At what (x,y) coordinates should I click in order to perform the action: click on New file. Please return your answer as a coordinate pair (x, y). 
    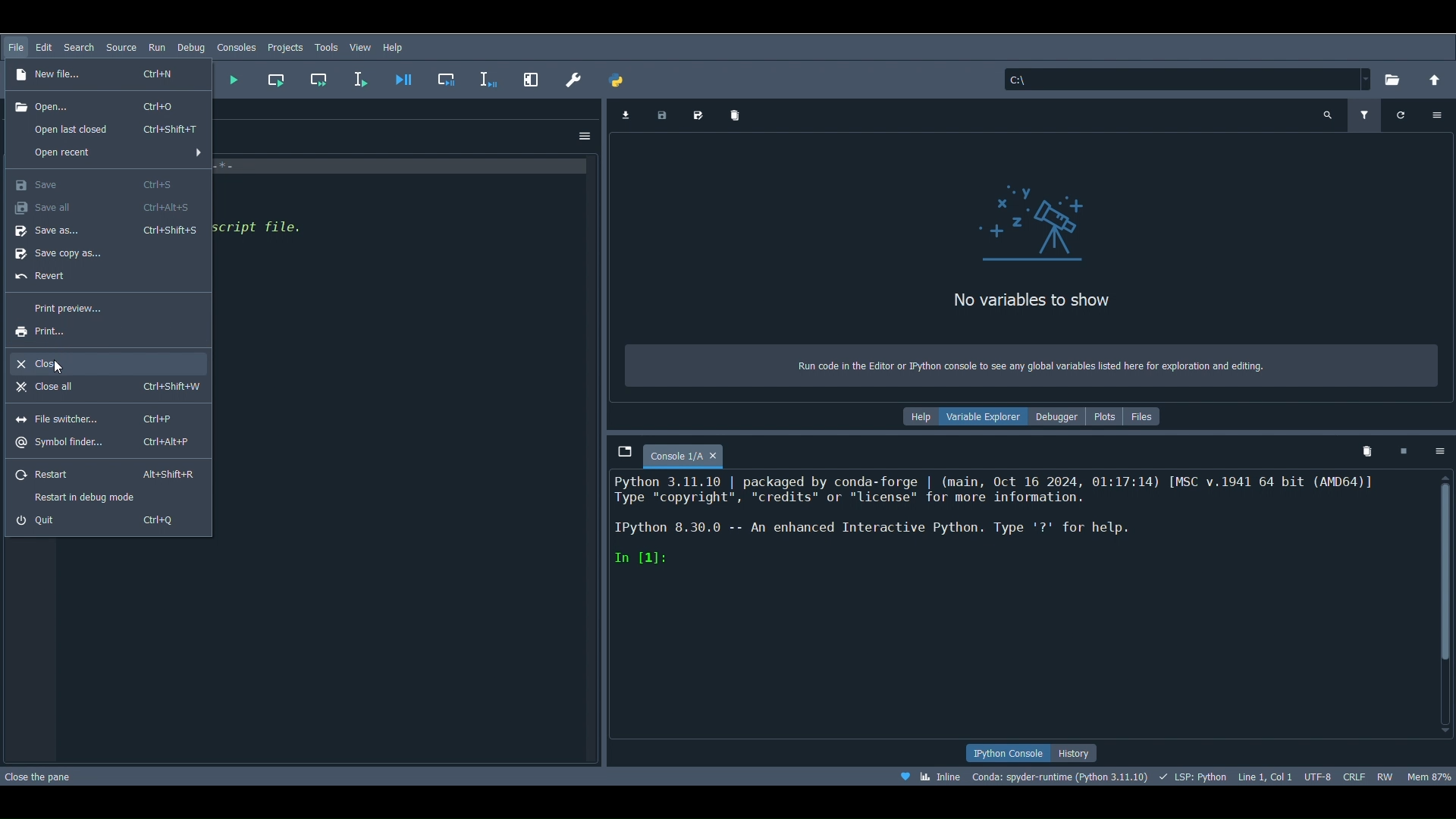
    Looking at the image, I should click on (95, 74).